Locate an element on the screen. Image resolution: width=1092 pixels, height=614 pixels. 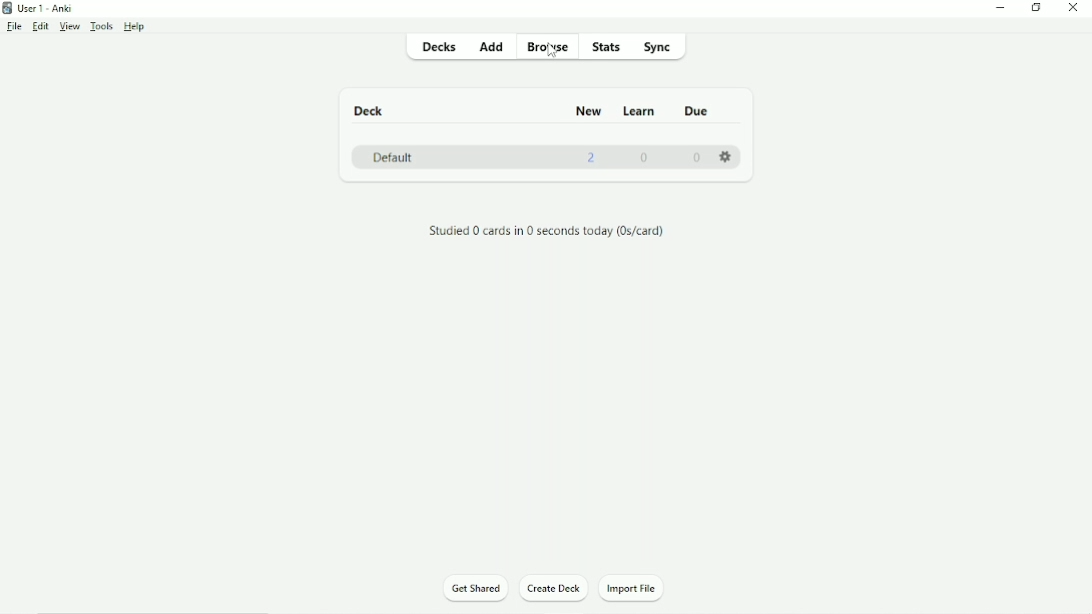
Learn is located at coordinates (641, 112).